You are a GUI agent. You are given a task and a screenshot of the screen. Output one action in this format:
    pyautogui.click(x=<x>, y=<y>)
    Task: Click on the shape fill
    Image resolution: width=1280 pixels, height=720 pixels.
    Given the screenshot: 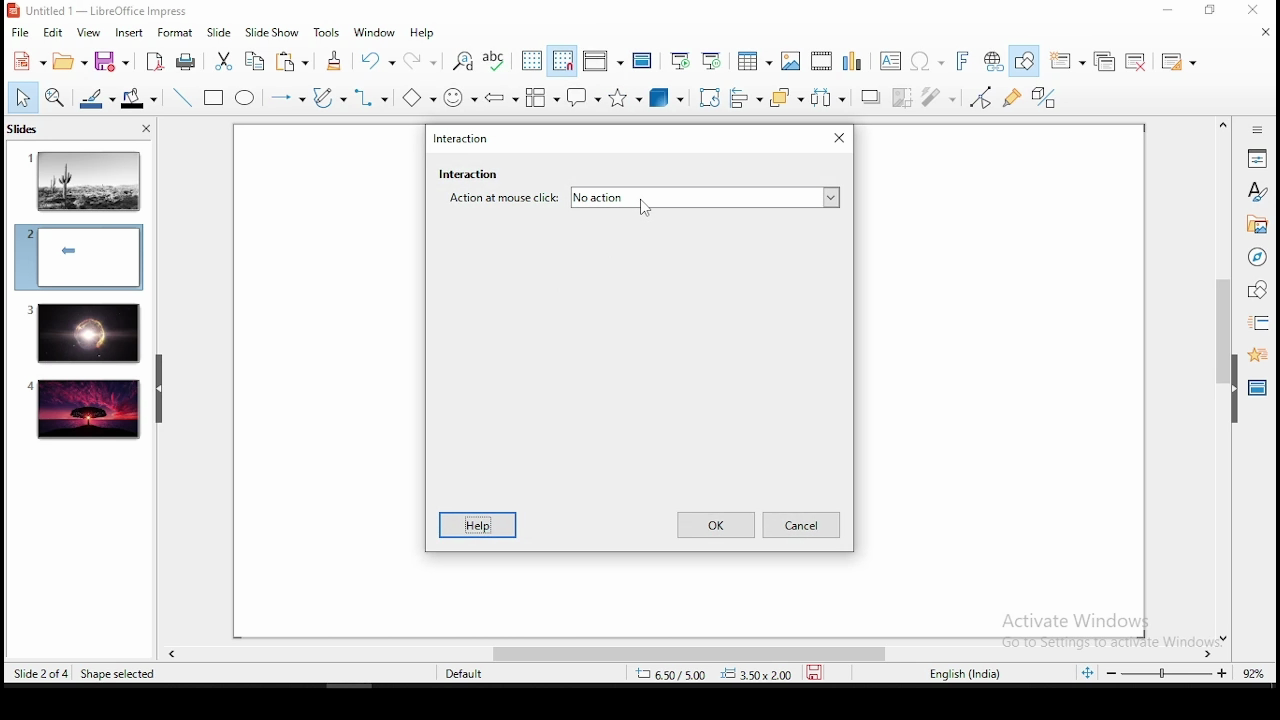 What is the action you would take?
    pyautogui.click(x=138, y=100)
    